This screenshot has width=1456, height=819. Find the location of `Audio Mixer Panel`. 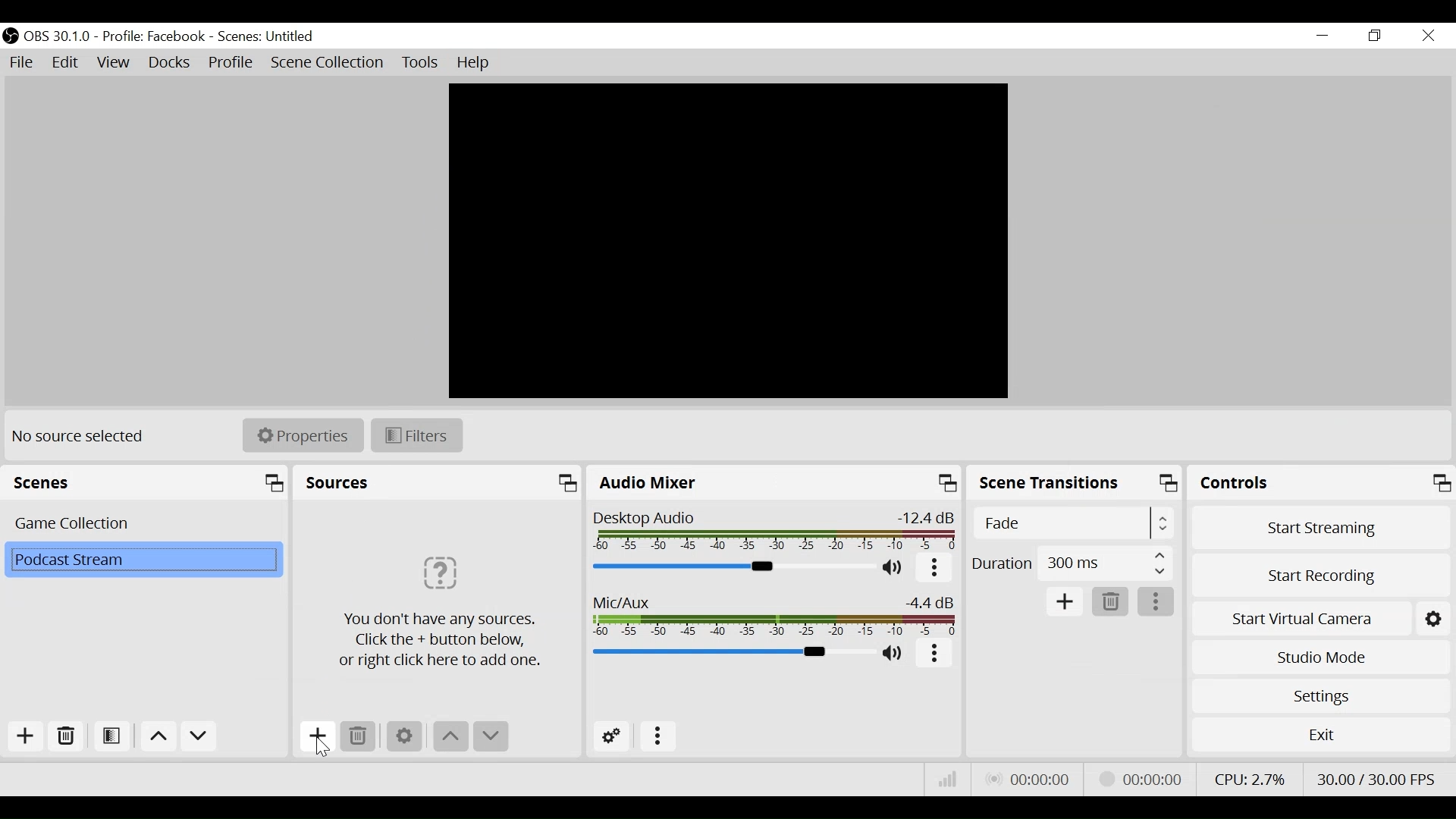

Audio Mixer Panel is located at coordinates (775, 482).